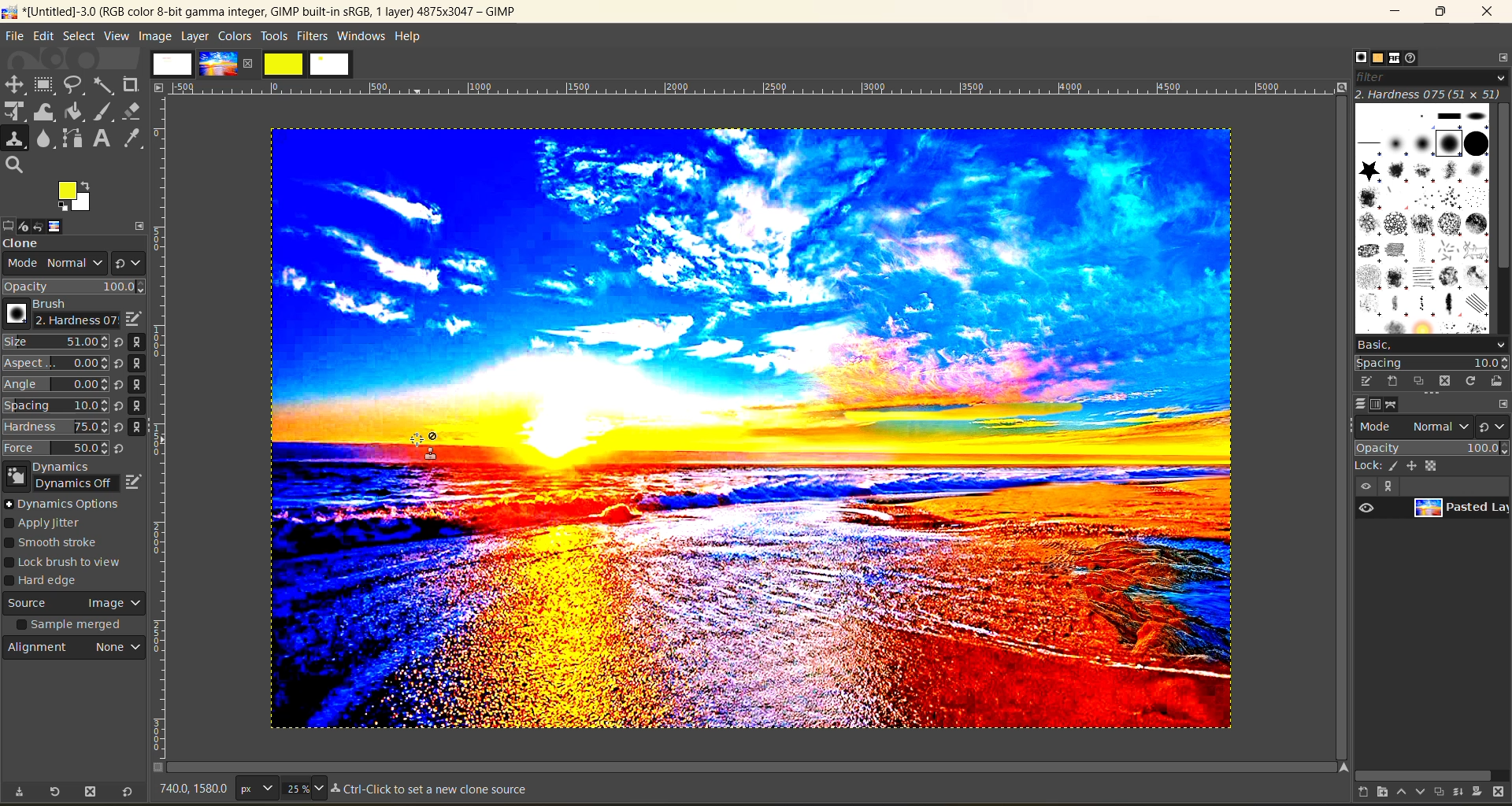 This screenshot has width=1512, height=806. I want to click on switch to another group, so click(128, 261).